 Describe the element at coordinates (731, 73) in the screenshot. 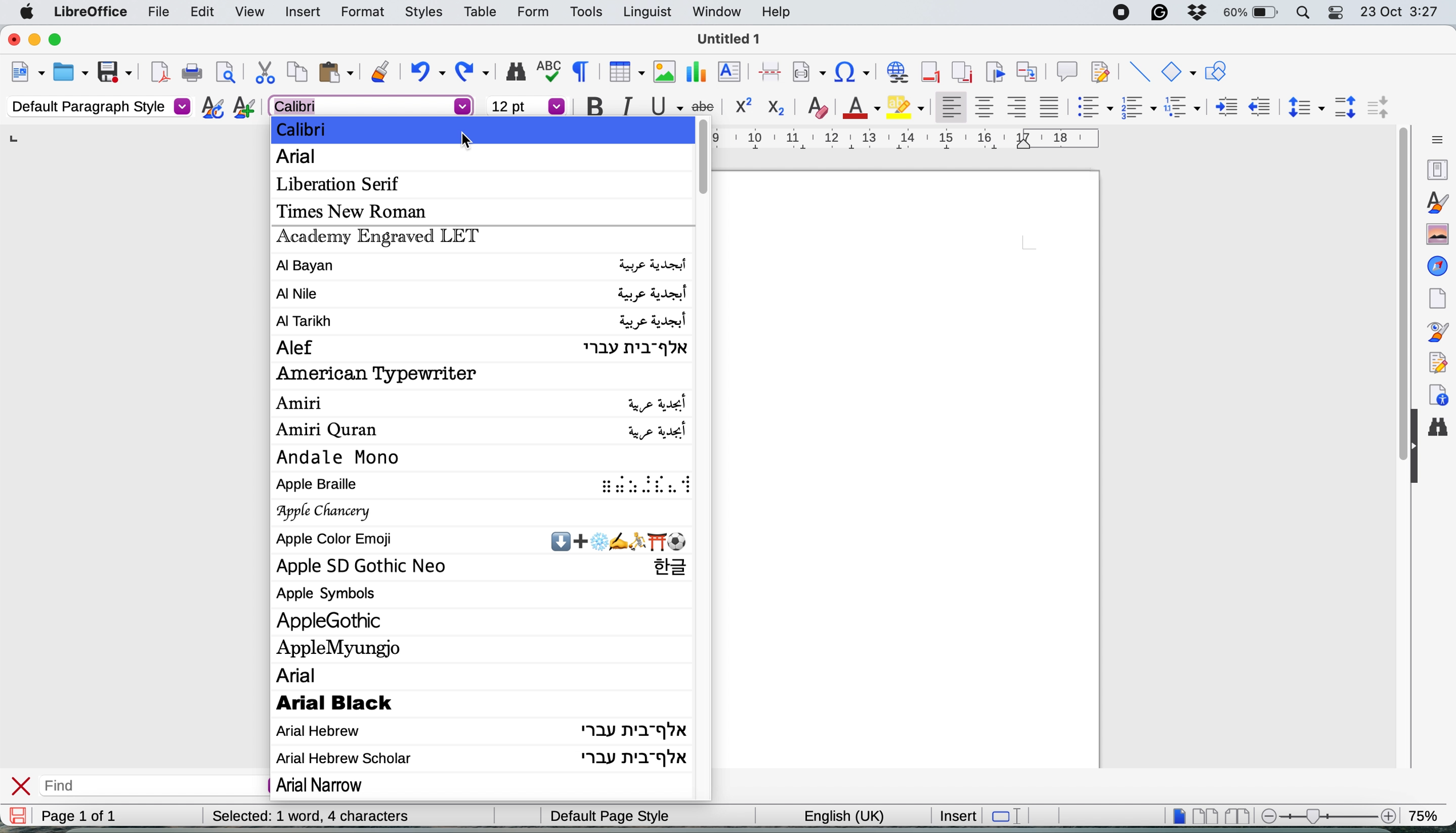

I see `insert text box` at that location.